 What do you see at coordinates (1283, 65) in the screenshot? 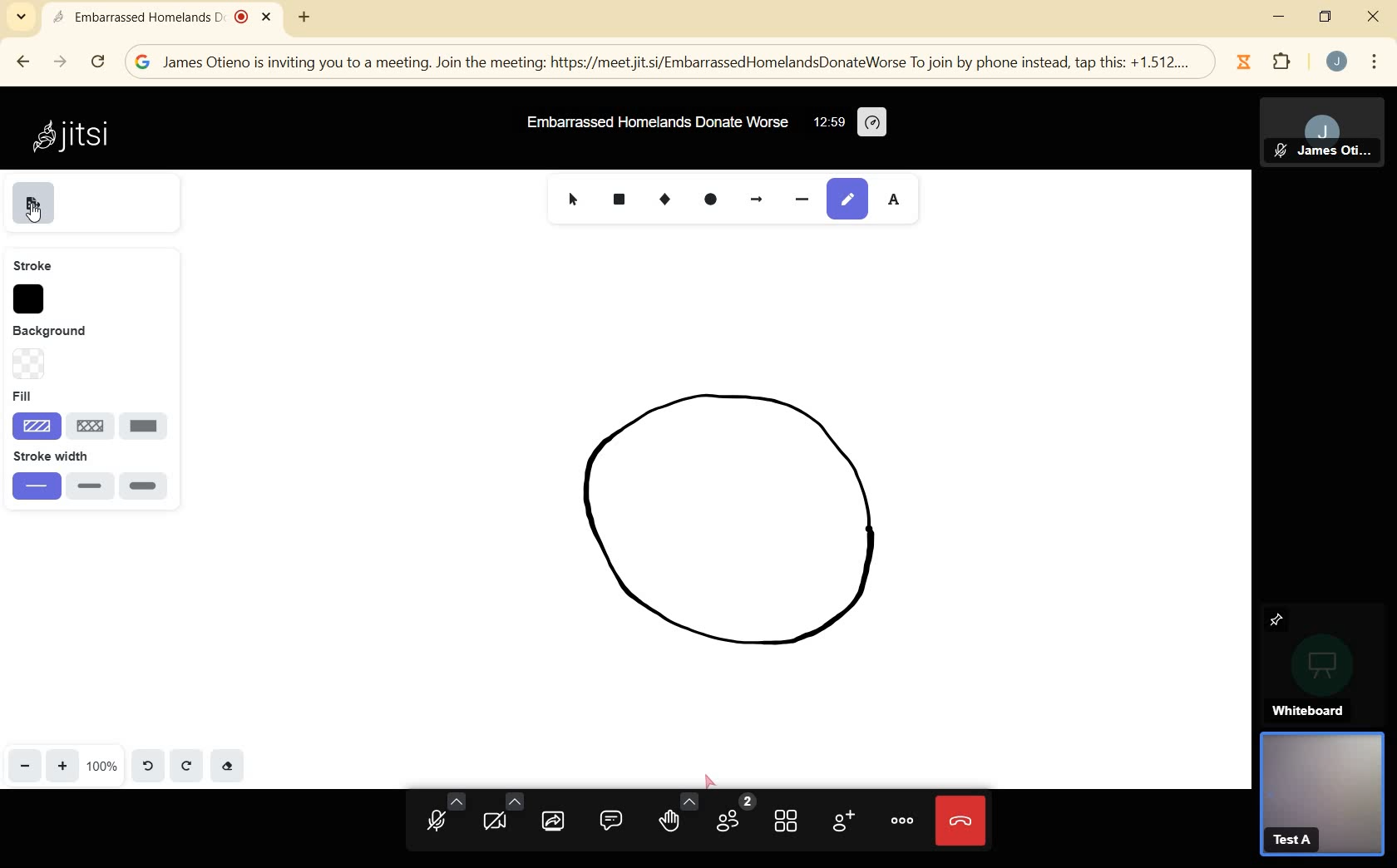
I see `extensions` at bounding box center [1283, 65].